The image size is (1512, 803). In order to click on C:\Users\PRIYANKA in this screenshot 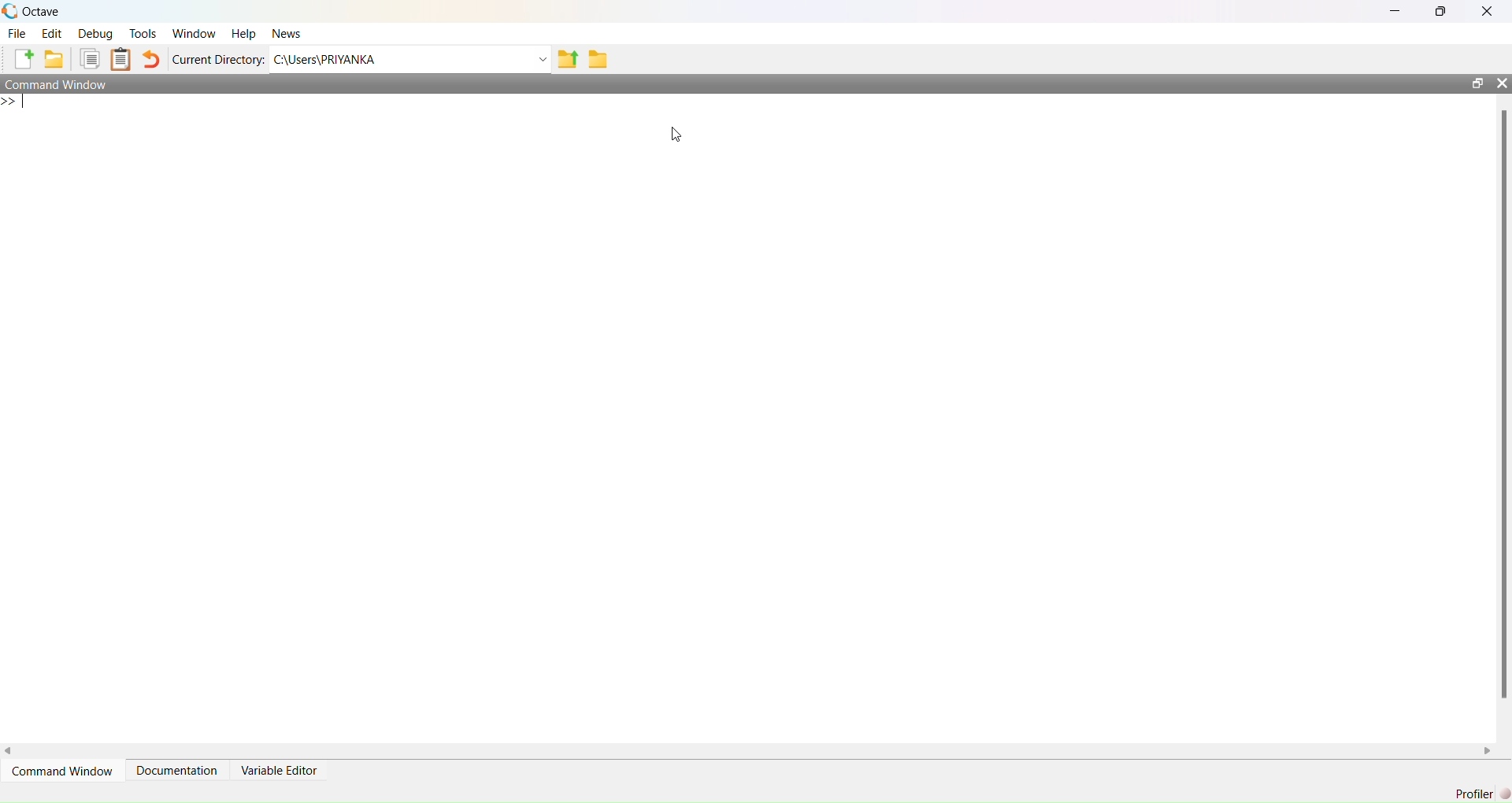, I will do `click(325, 61)`.